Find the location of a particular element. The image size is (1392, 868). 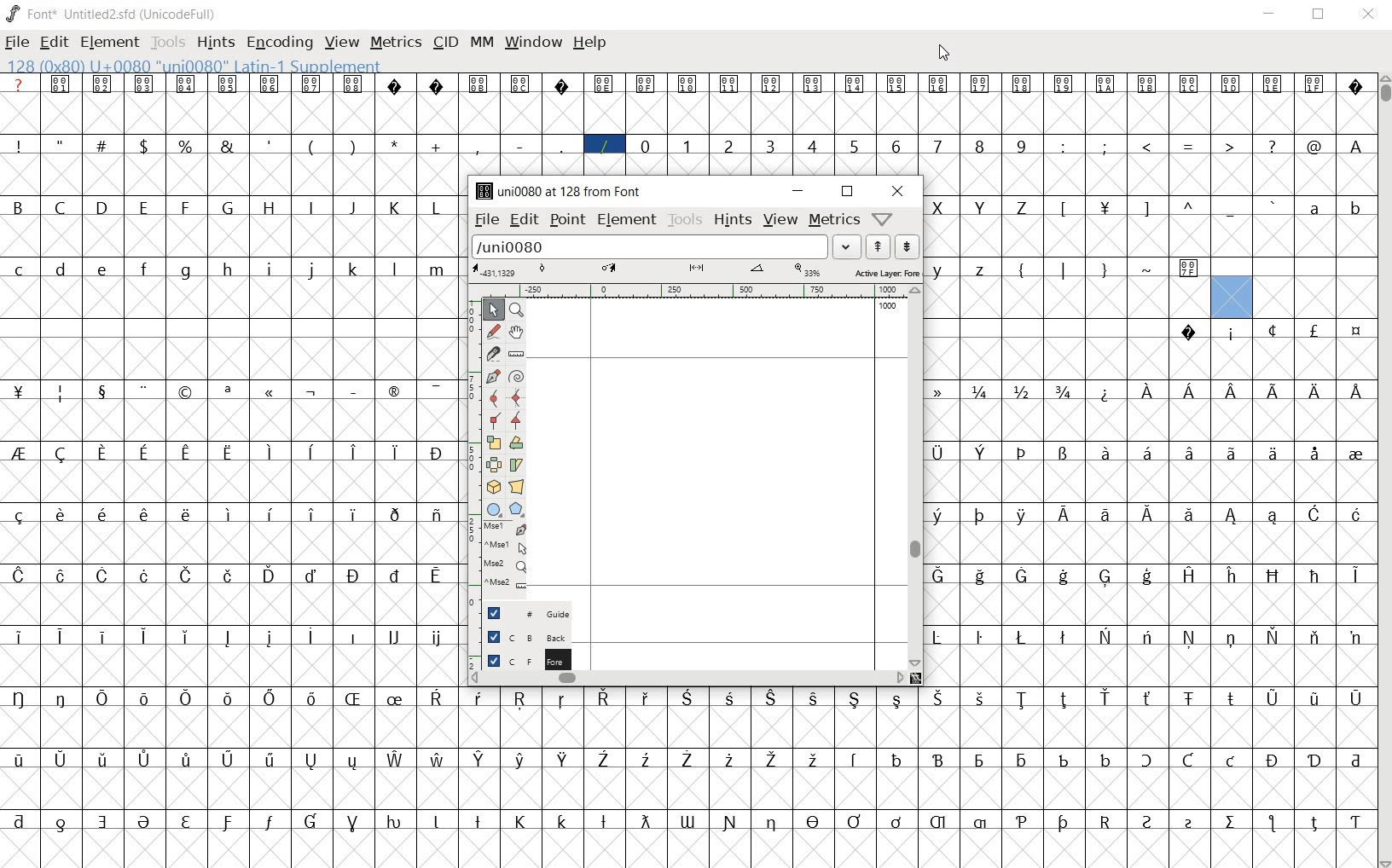

glyph is located at coordinates (437, 576).